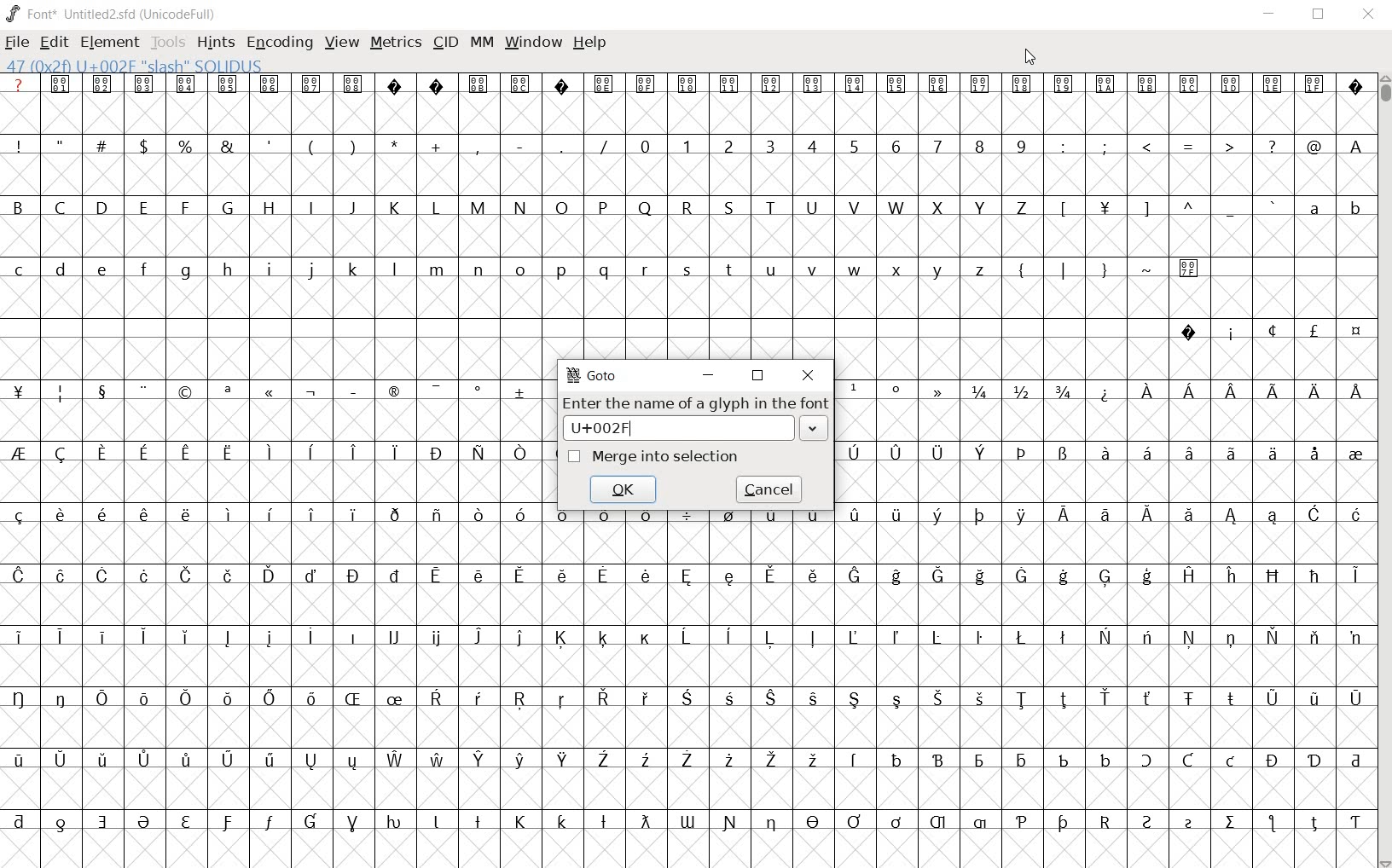 This screenshot has width=1392, height=868. What do you see at coordinates (279, 454) in the screenshot?
I see `special letters` at bounding box center [279, 454].